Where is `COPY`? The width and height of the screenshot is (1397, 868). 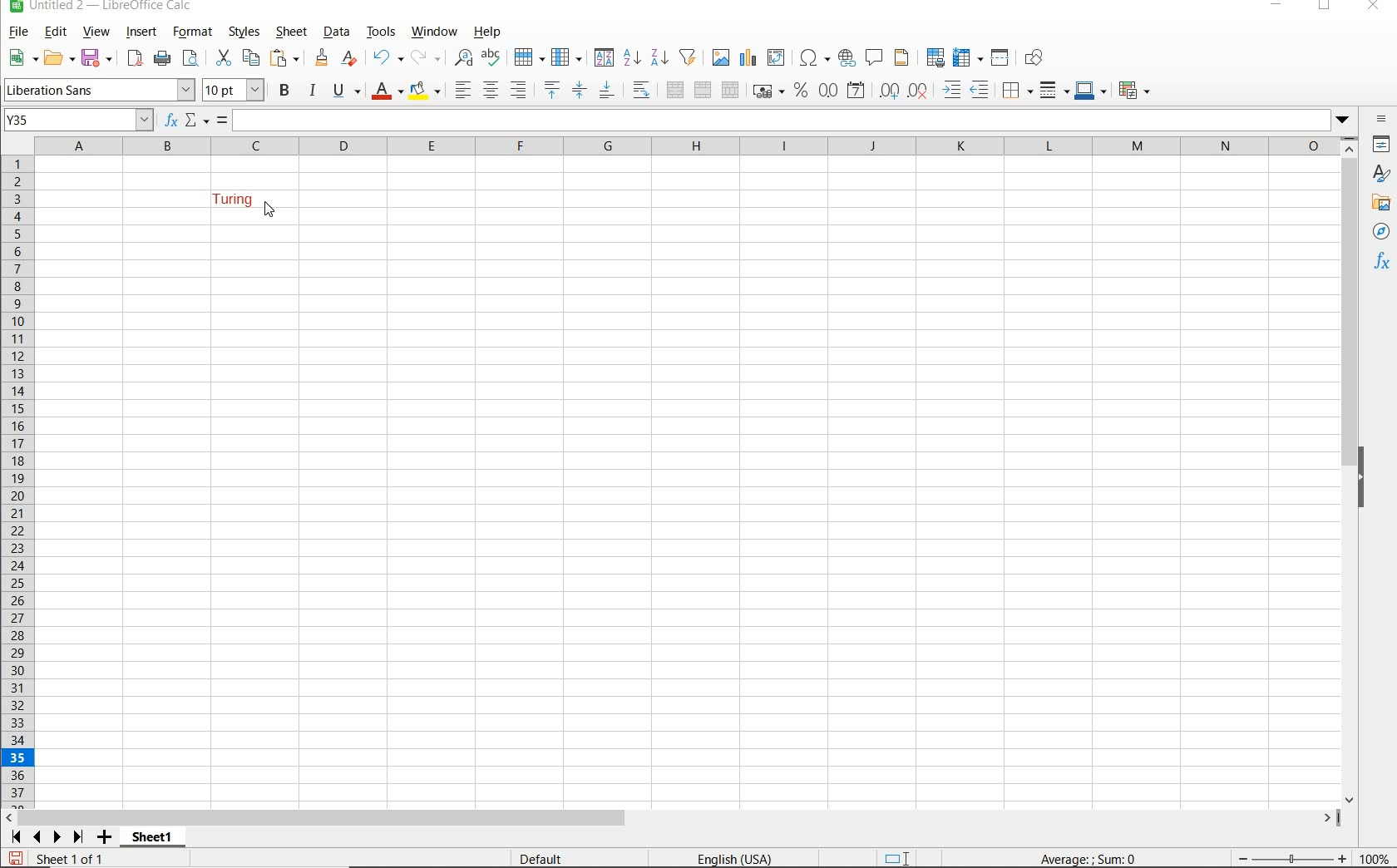
COPY is located at coordinates (252, 57).